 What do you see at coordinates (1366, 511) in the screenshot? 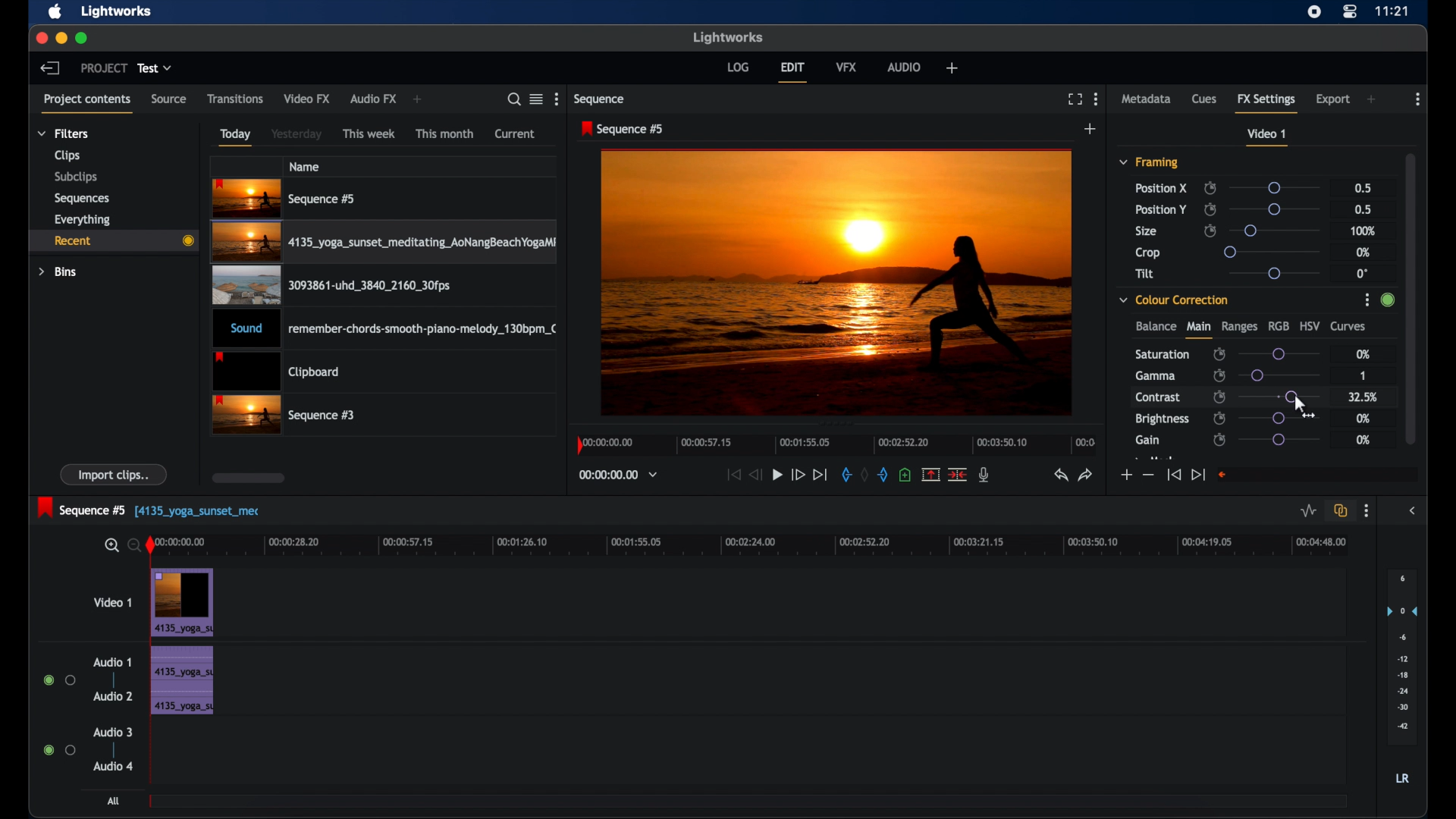
I see `more options` at bounding box center [1366, 511].